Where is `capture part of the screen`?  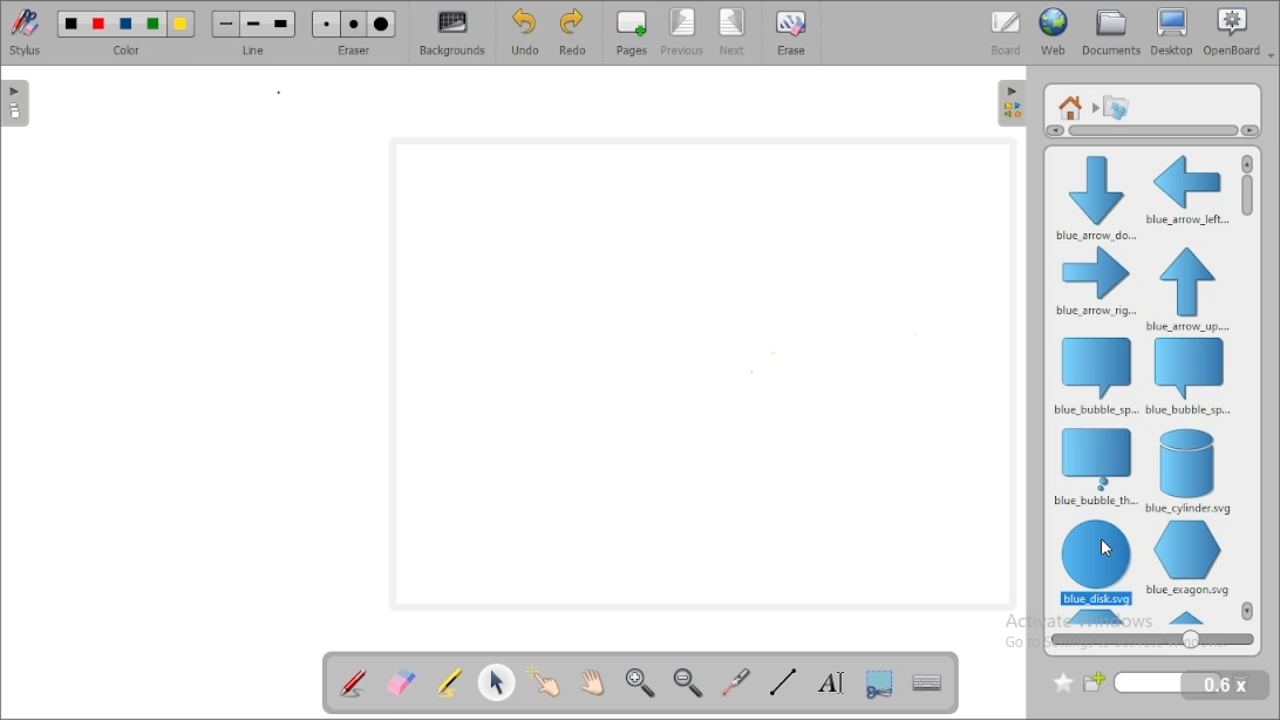 capture part of the screen is located at coordinates (880, 682).